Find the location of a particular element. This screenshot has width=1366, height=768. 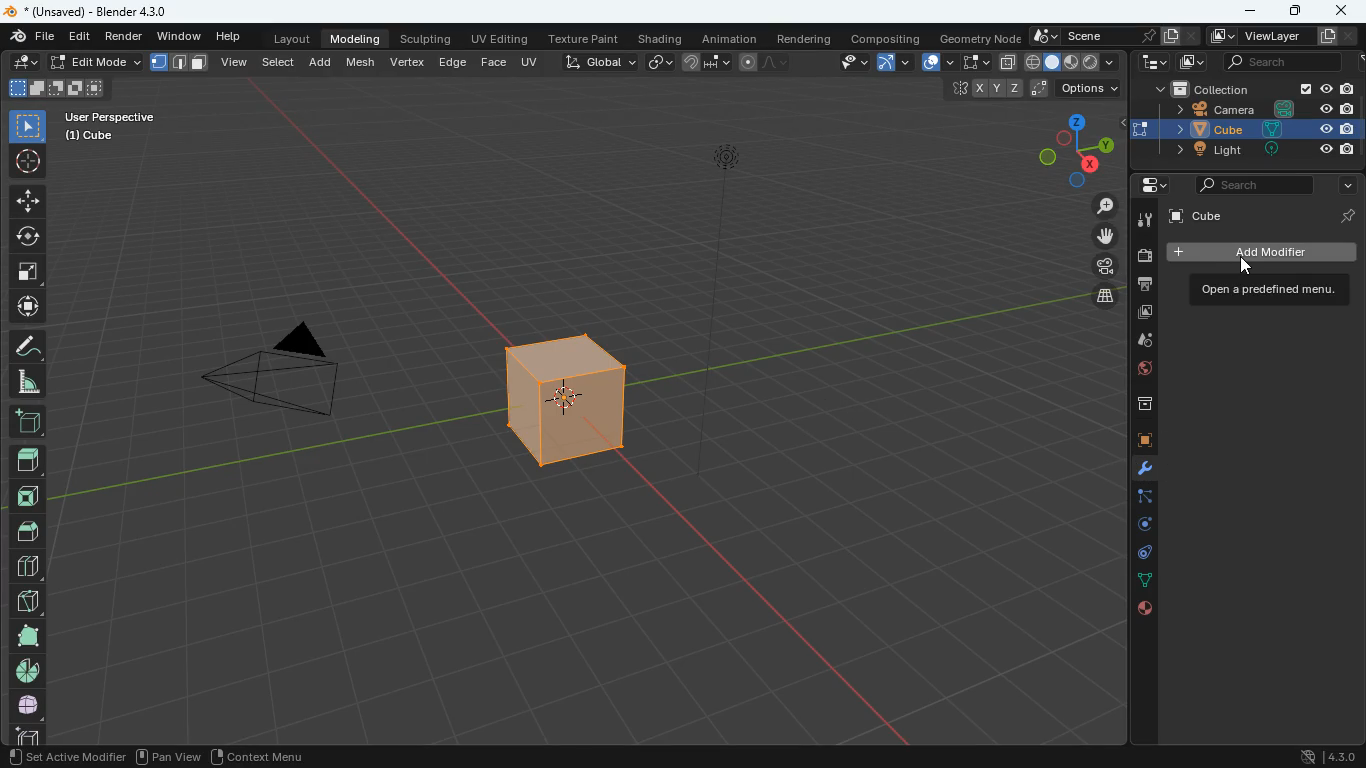

cube is located at coordinates (560, 406).